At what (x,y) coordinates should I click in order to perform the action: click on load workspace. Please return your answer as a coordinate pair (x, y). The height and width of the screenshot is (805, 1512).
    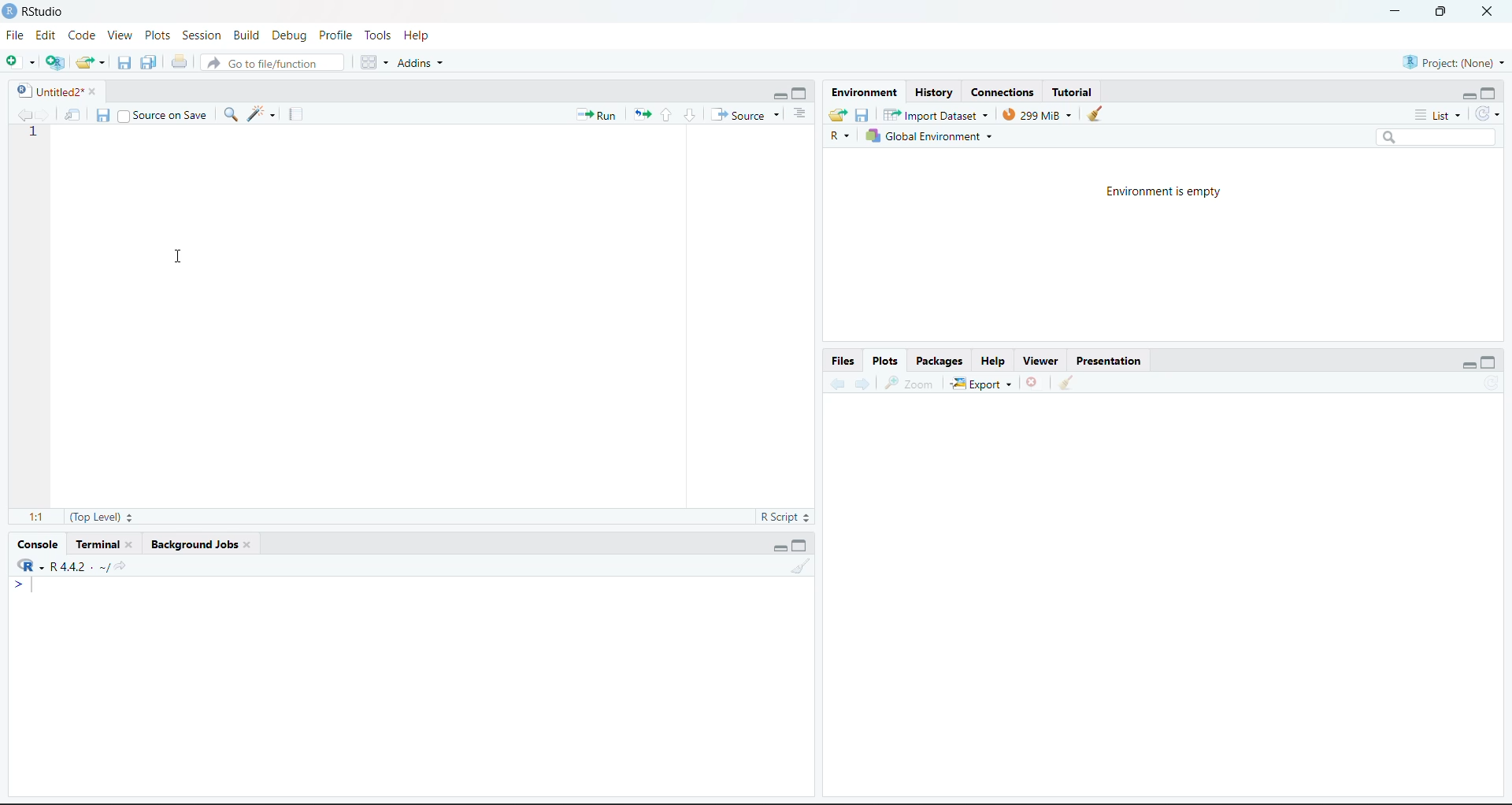
    Looking at the image, I should click on (839, 115).